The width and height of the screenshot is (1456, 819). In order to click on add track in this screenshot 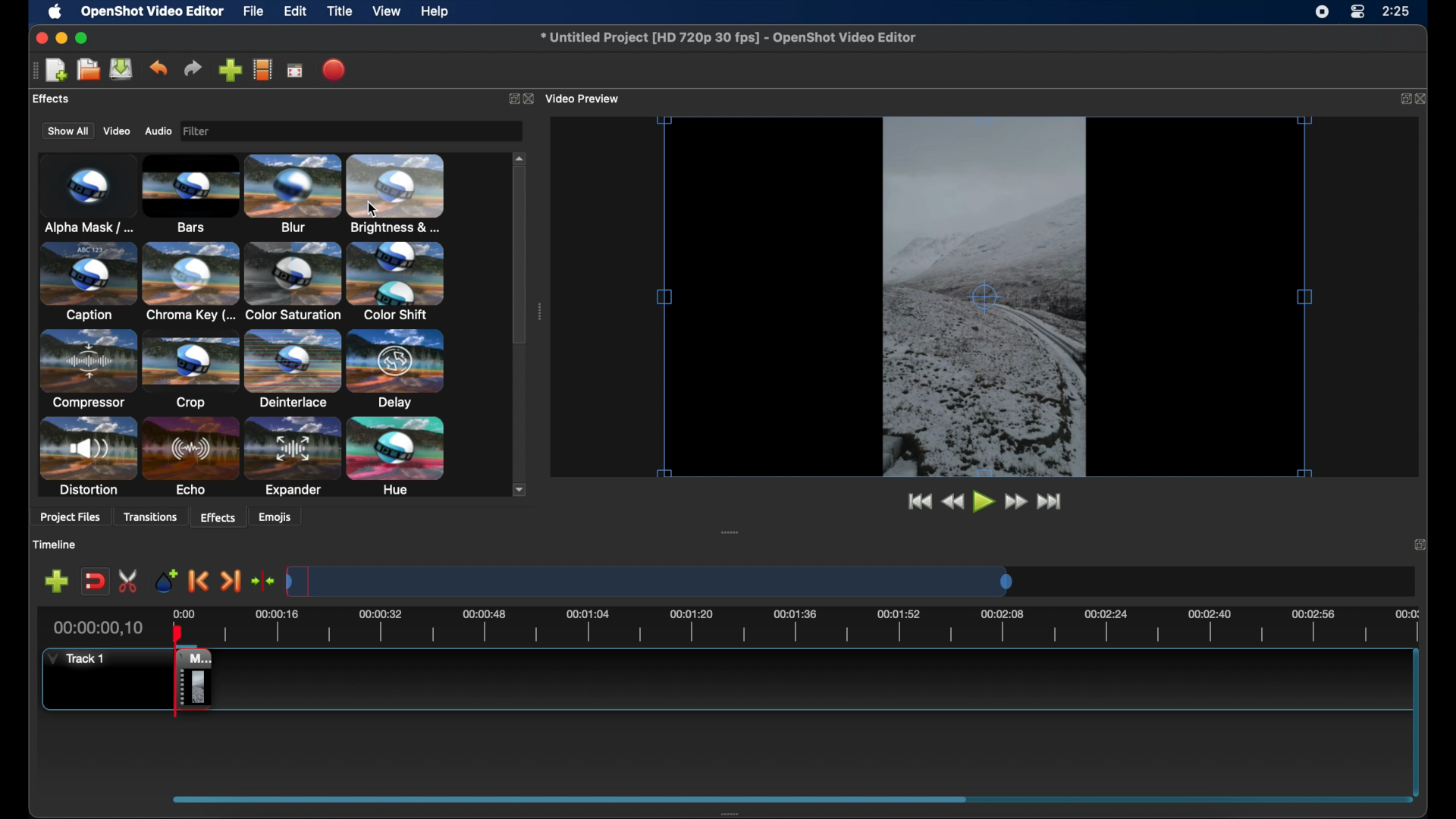, I will do `click(56, 581)`.